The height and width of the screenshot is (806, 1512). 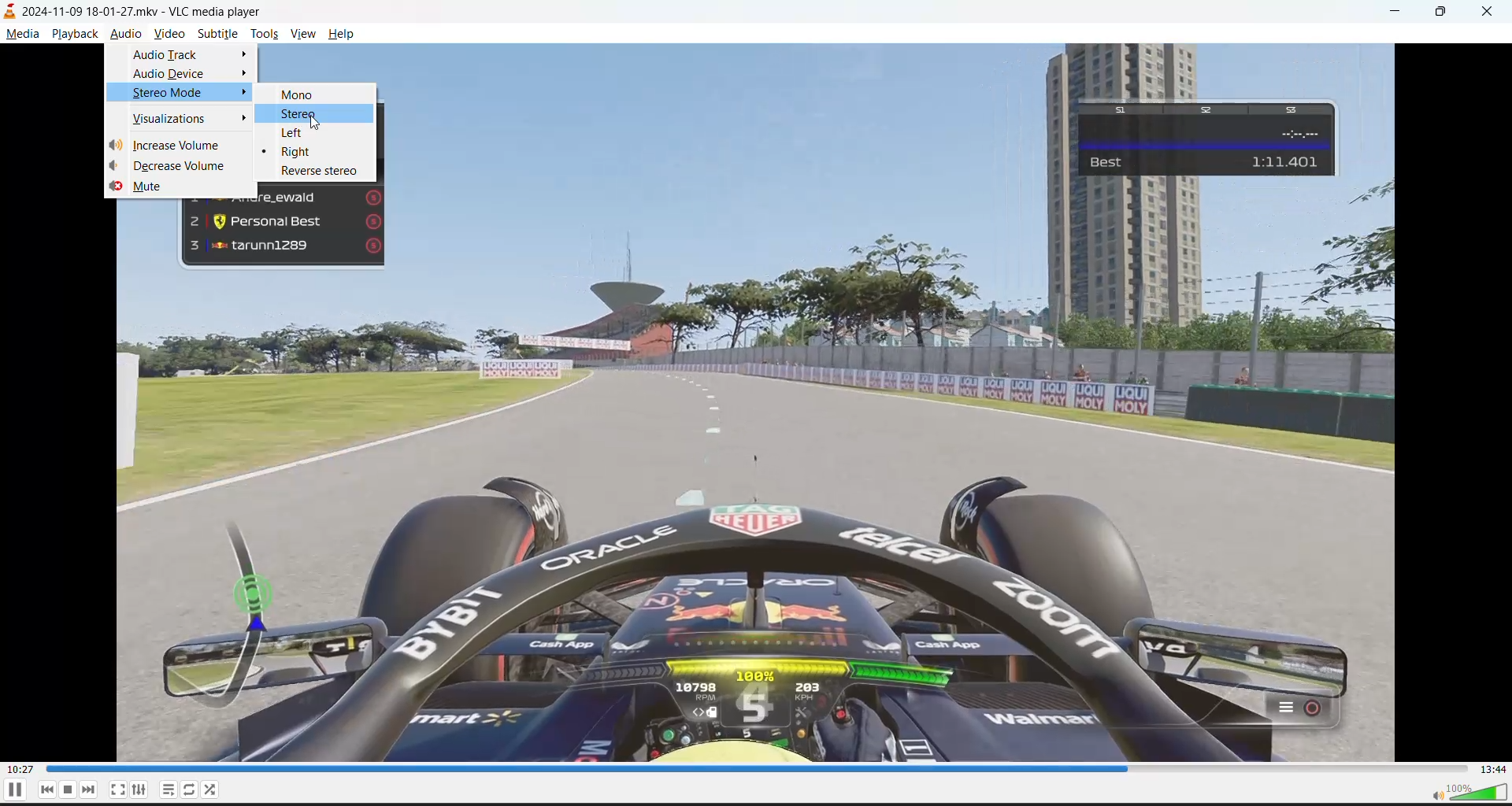 What do you see at coordinates (1469, 793) in the screenshot?
I see `volume` at bounding box center [1469, 793].